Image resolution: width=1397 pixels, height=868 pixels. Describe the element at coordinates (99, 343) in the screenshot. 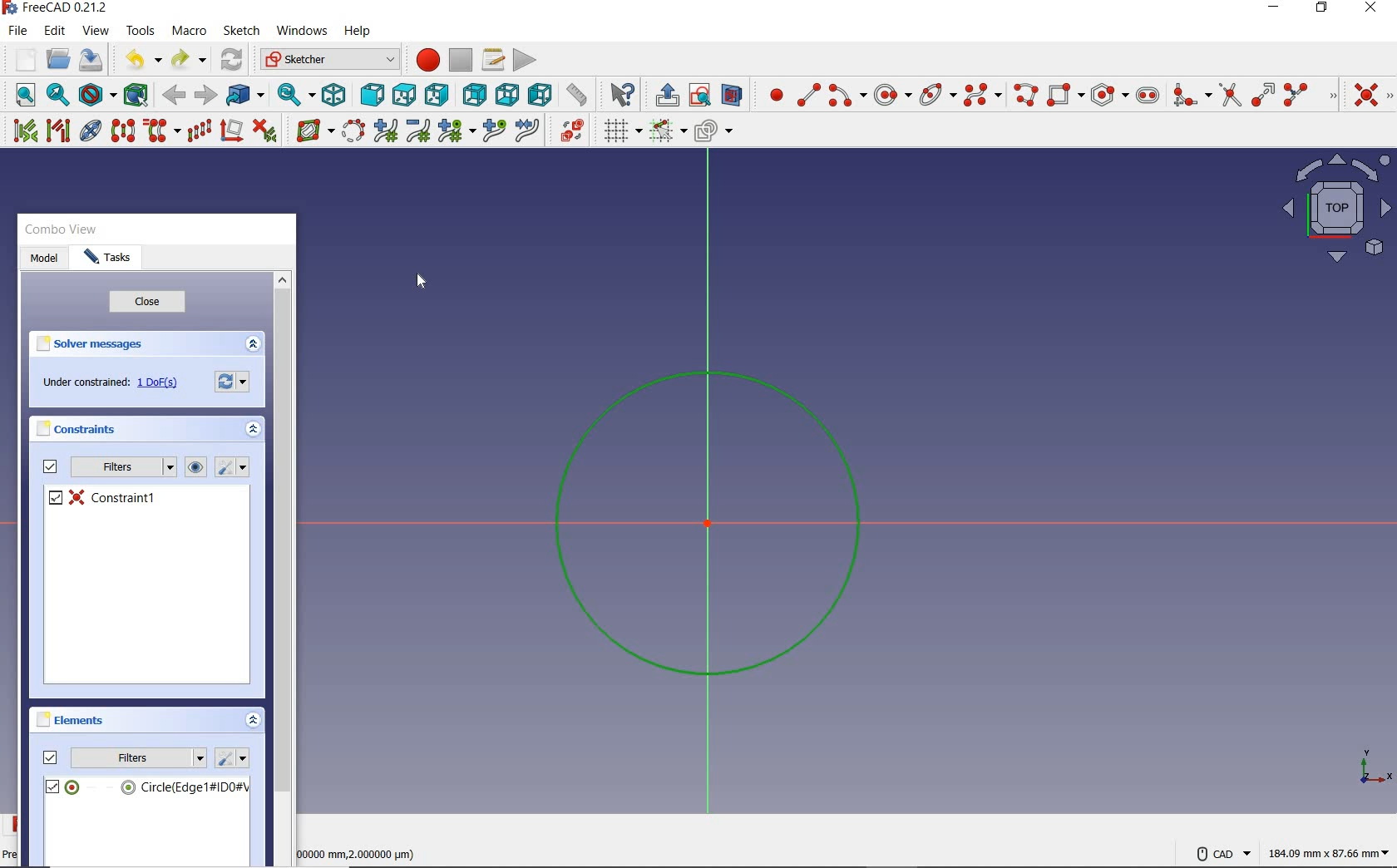

I see `solver messages` at that location.